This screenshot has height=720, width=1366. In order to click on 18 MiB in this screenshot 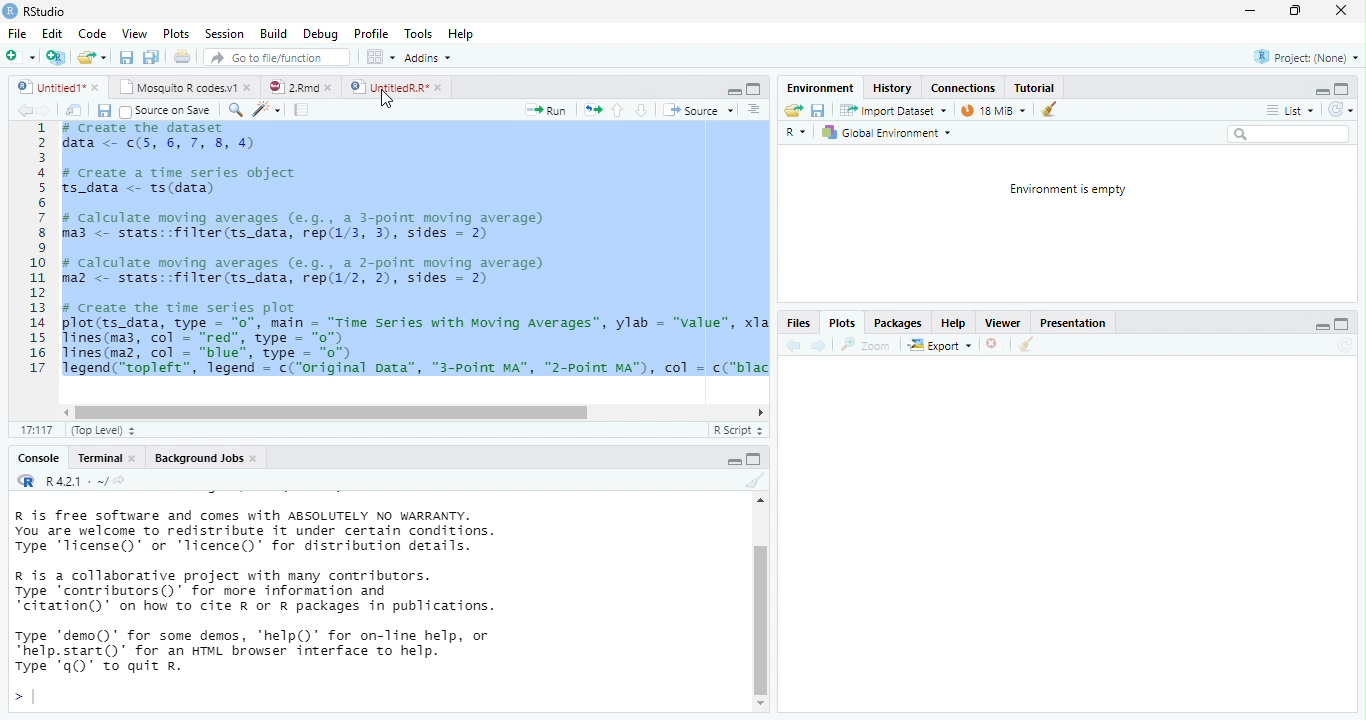, I will do `click(992, 110)`.